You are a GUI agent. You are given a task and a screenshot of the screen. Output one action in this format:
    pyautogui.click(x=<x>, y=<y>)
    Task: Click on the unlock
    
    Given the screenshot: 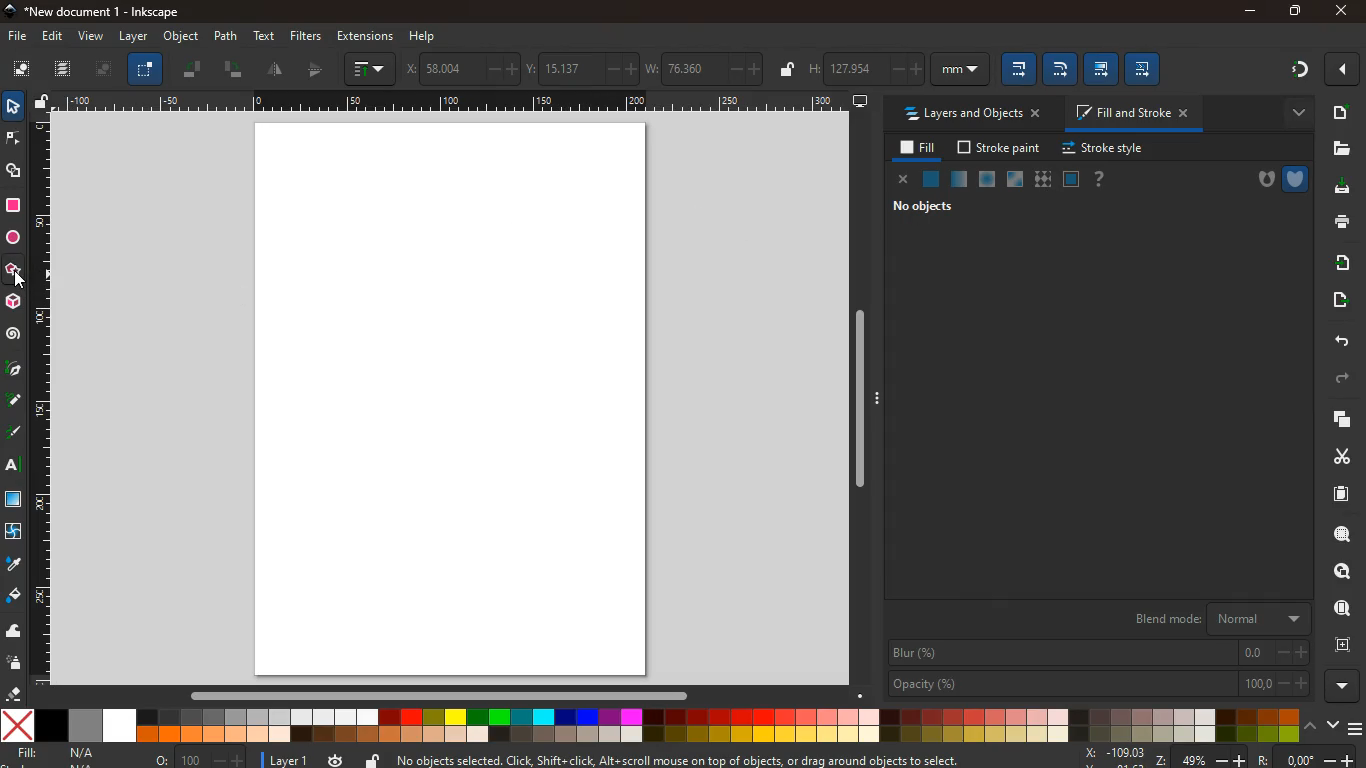 What is the action you would take?
    pyautogui.click(x=44, y=103)
    